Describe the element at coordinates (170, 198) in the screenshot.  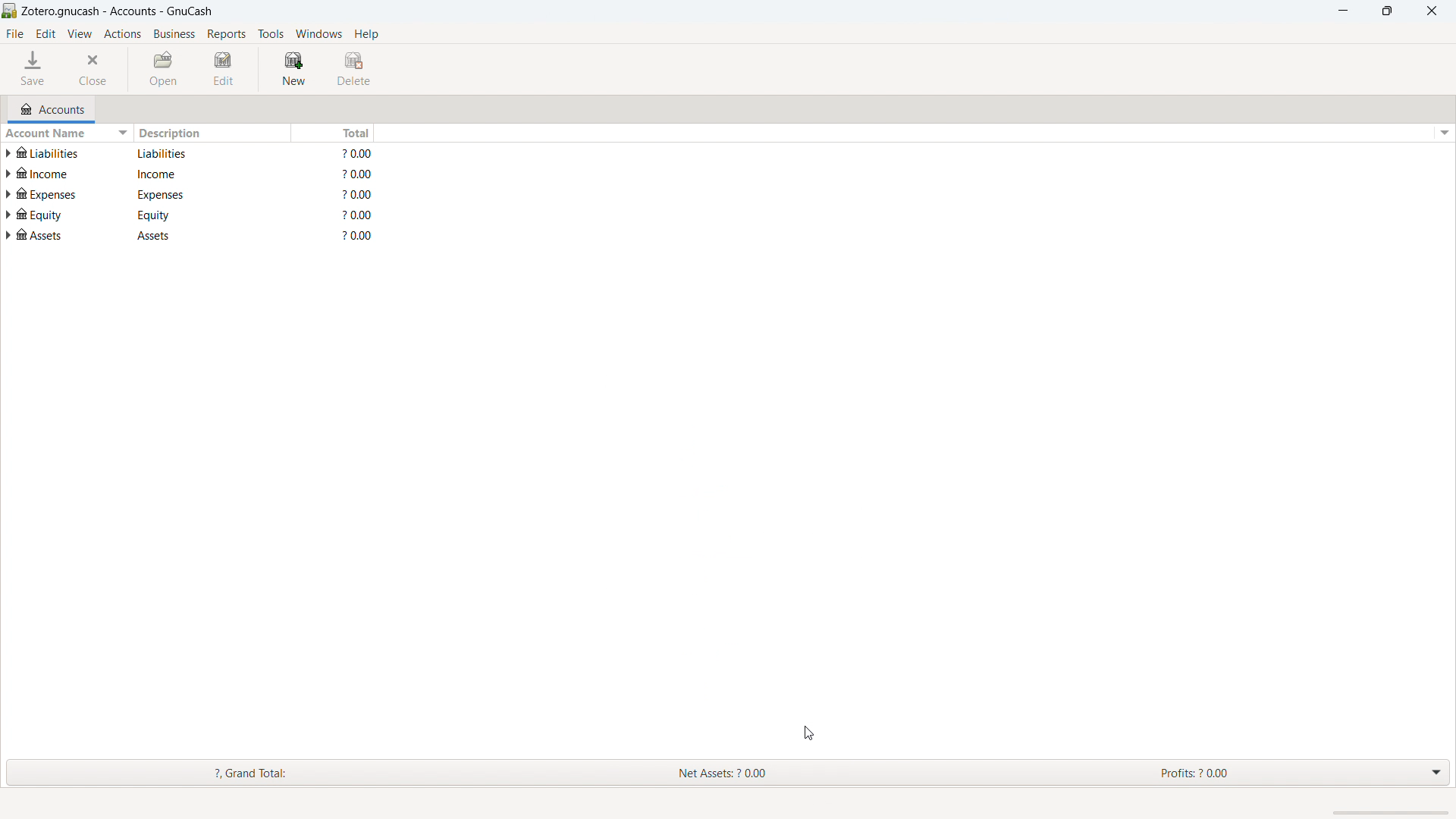
I see `description` at that location.